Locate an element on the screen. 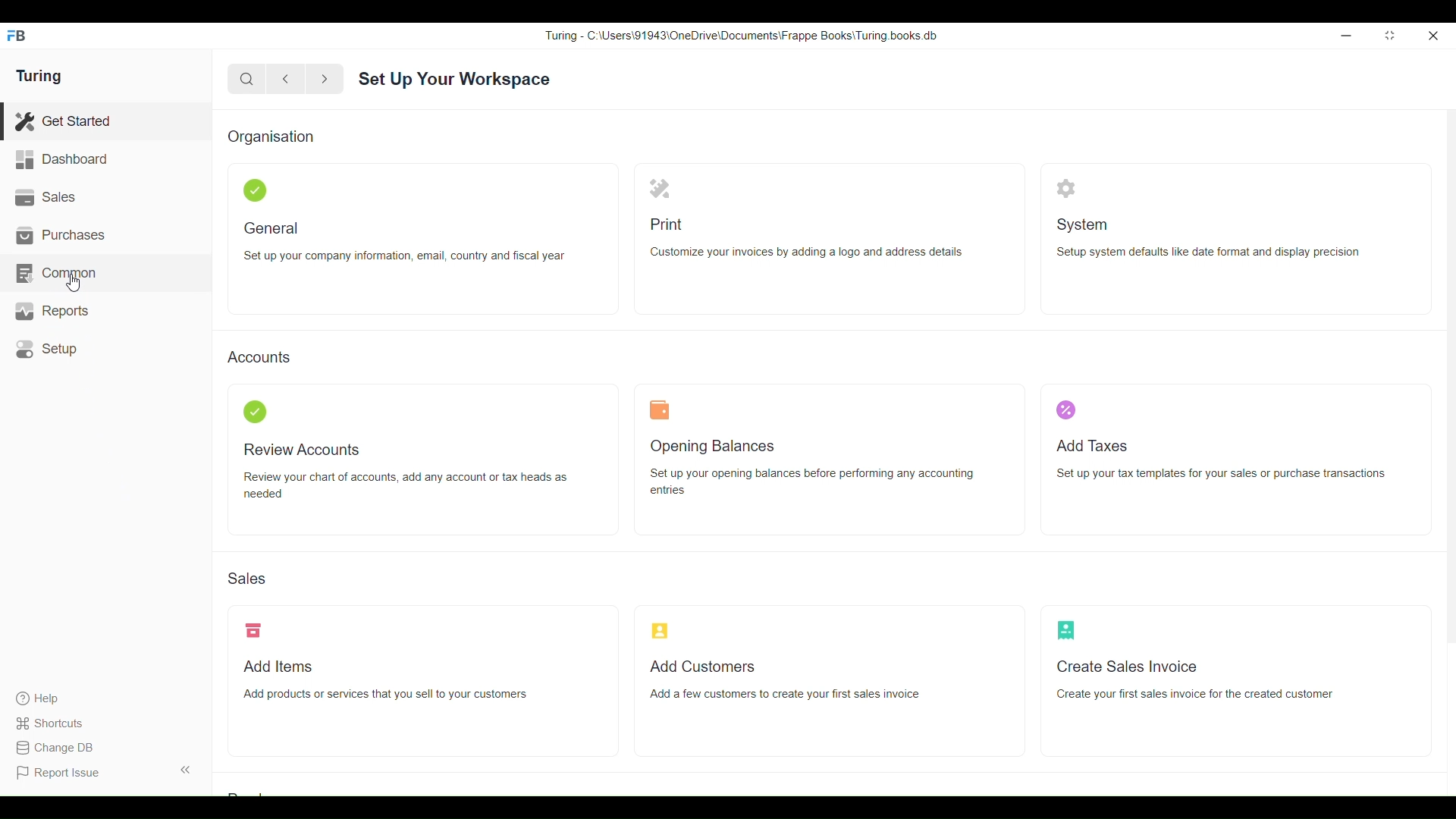  Accounts is located at coordinates (259, 356).